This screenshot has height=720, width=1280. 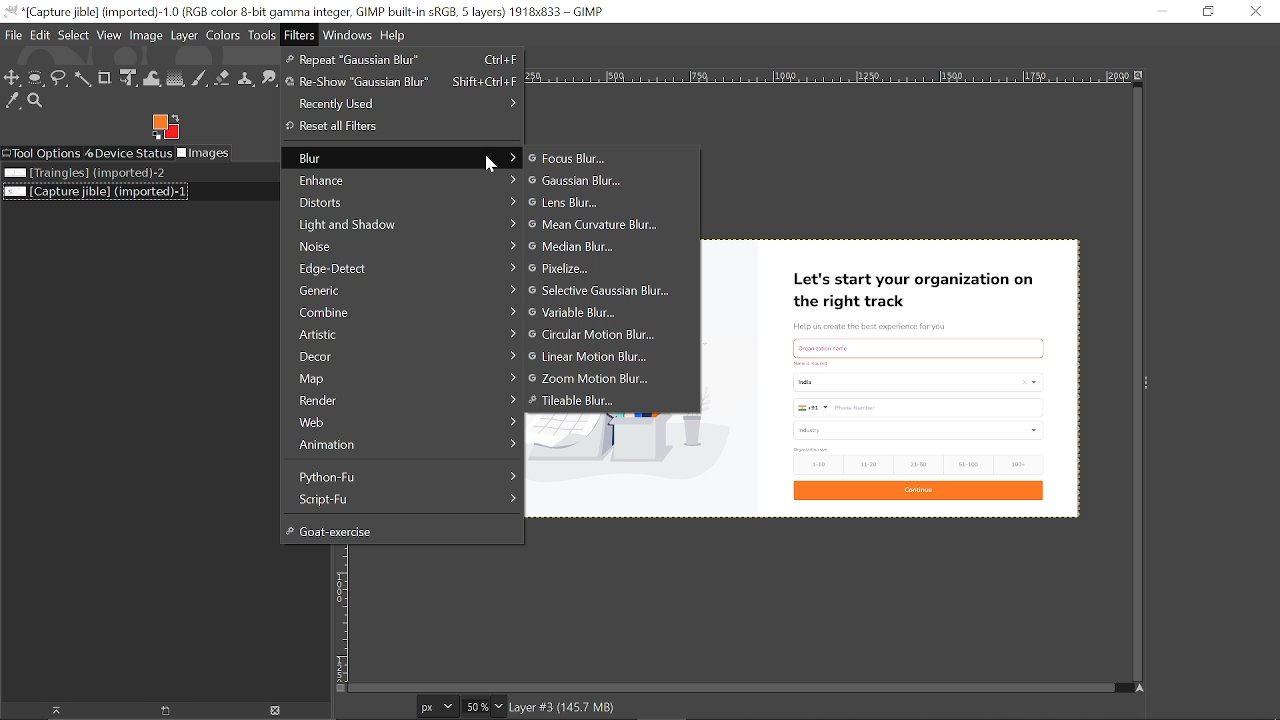 I want to click on Navigate the image display, so click(x=1140, y=691).